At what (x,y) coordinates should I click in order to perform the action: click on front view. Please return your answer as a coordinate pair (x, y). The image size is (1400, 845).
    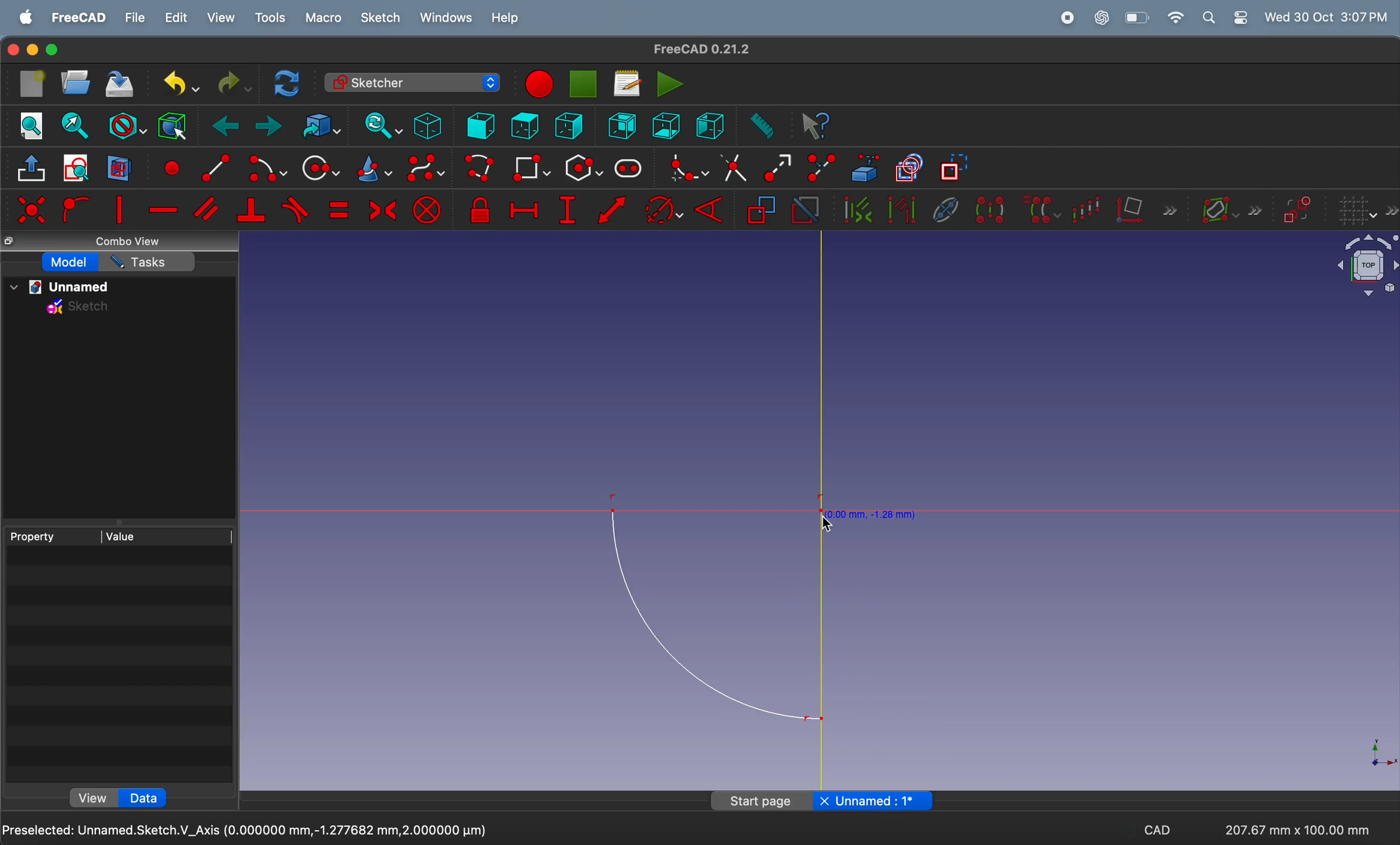
    Looking at the image, I should click on (482, 125).